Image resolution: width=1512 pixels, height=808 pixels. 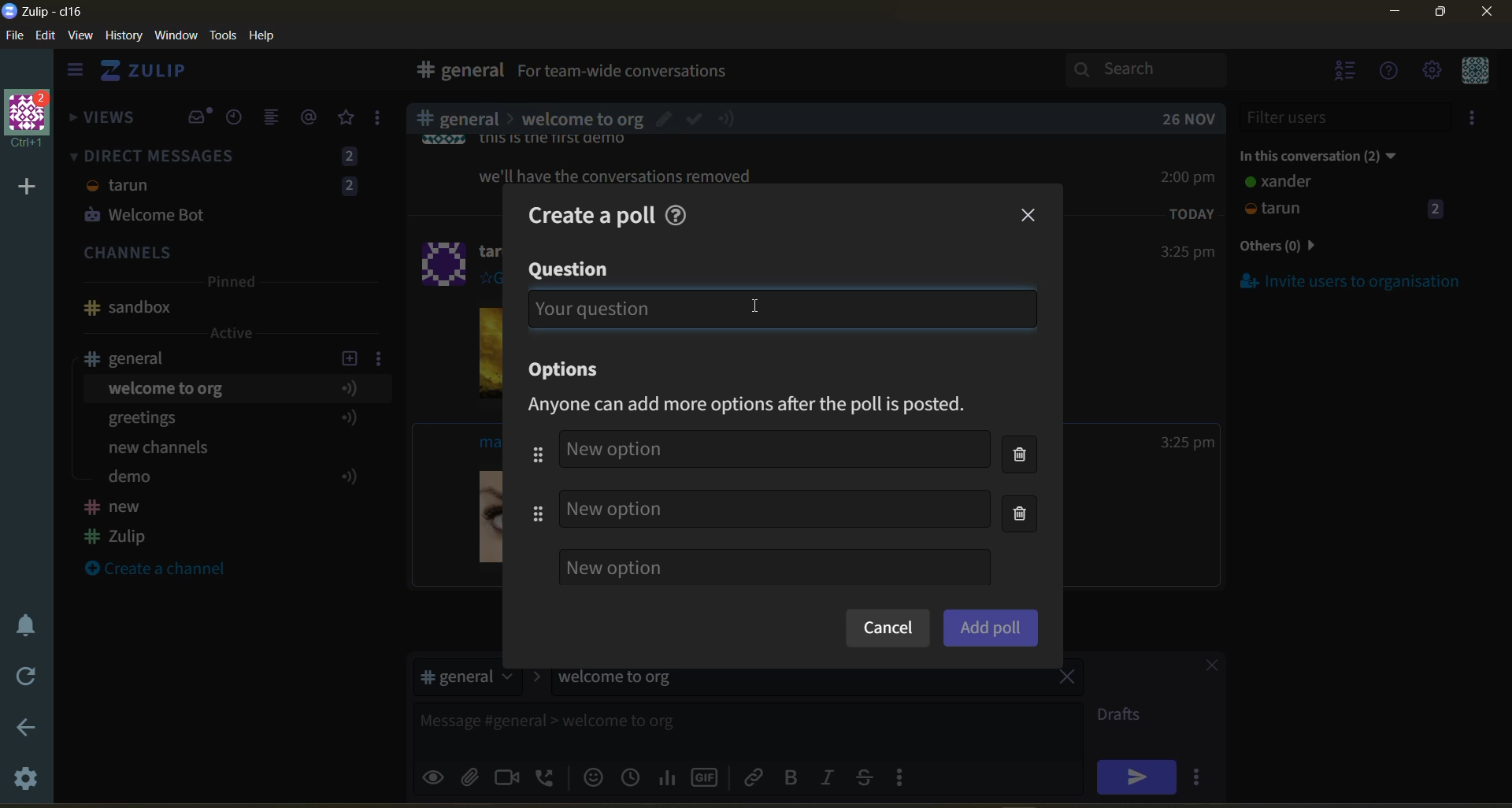 I want to click on go back, so click(x=24, y=728).